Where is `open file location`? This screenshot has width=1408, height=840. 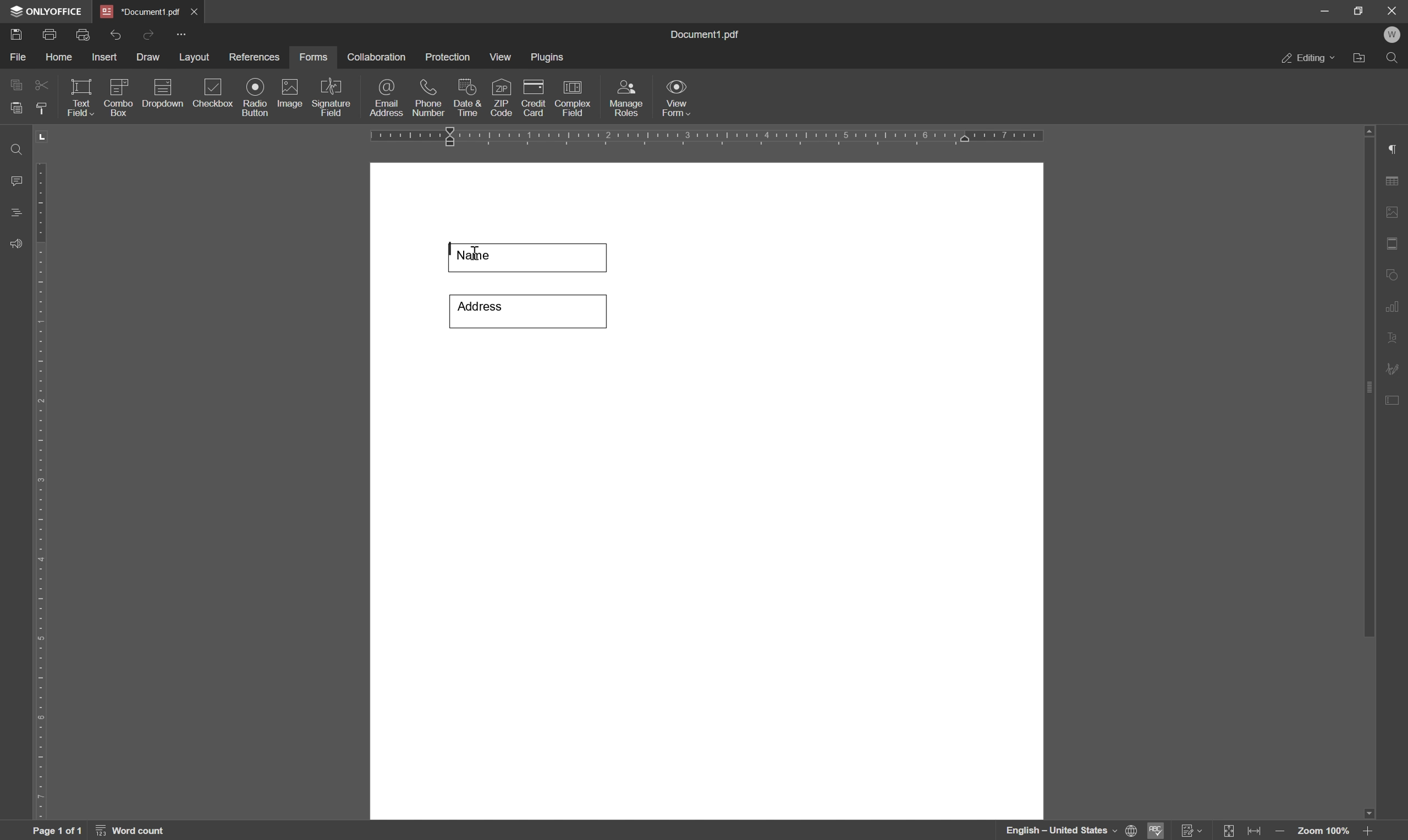 open file location is located at coordinates (1360, 59).